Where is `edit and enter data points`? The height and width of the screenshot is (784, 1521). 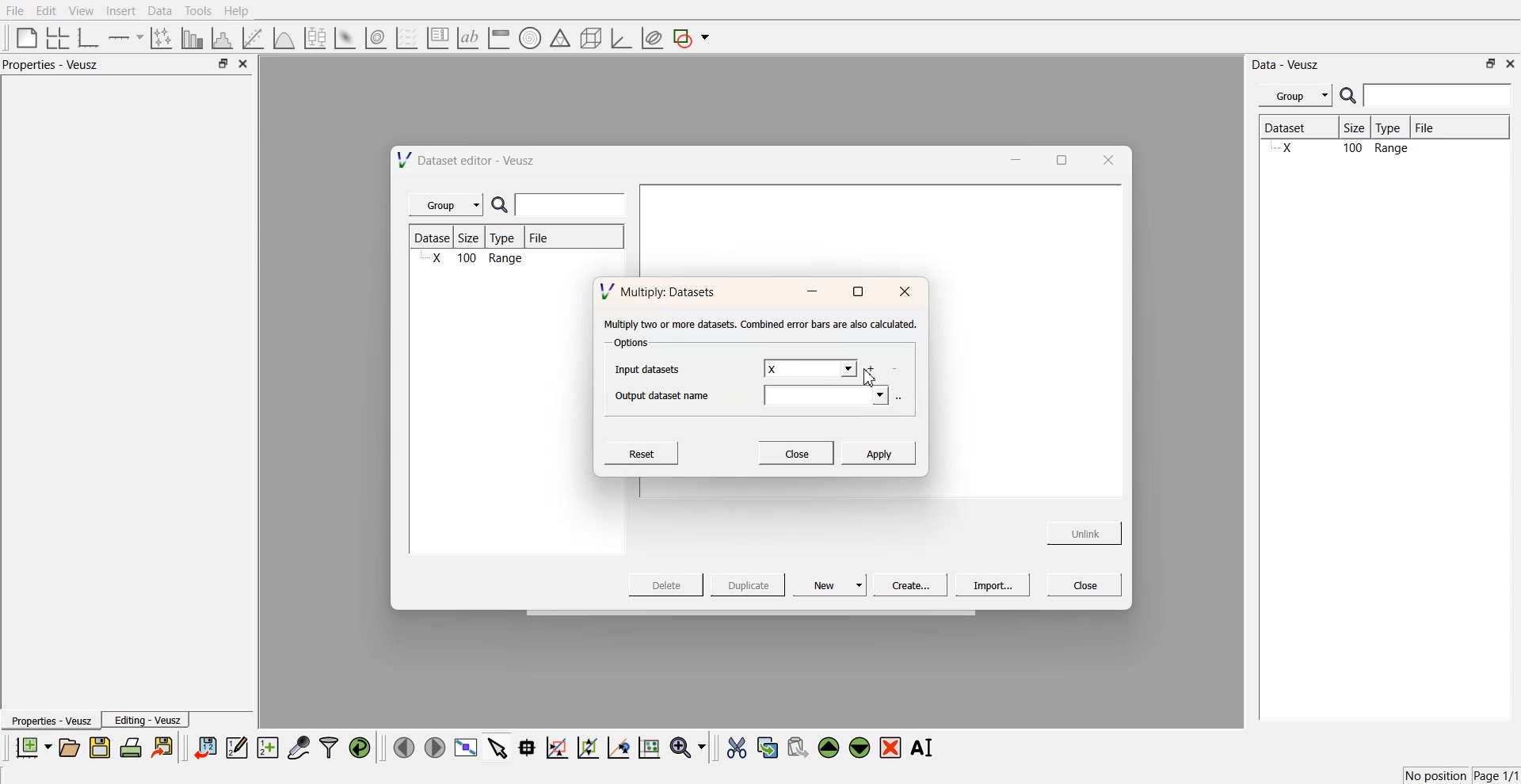 edit and enter data points is located at coordinates (237, 749).